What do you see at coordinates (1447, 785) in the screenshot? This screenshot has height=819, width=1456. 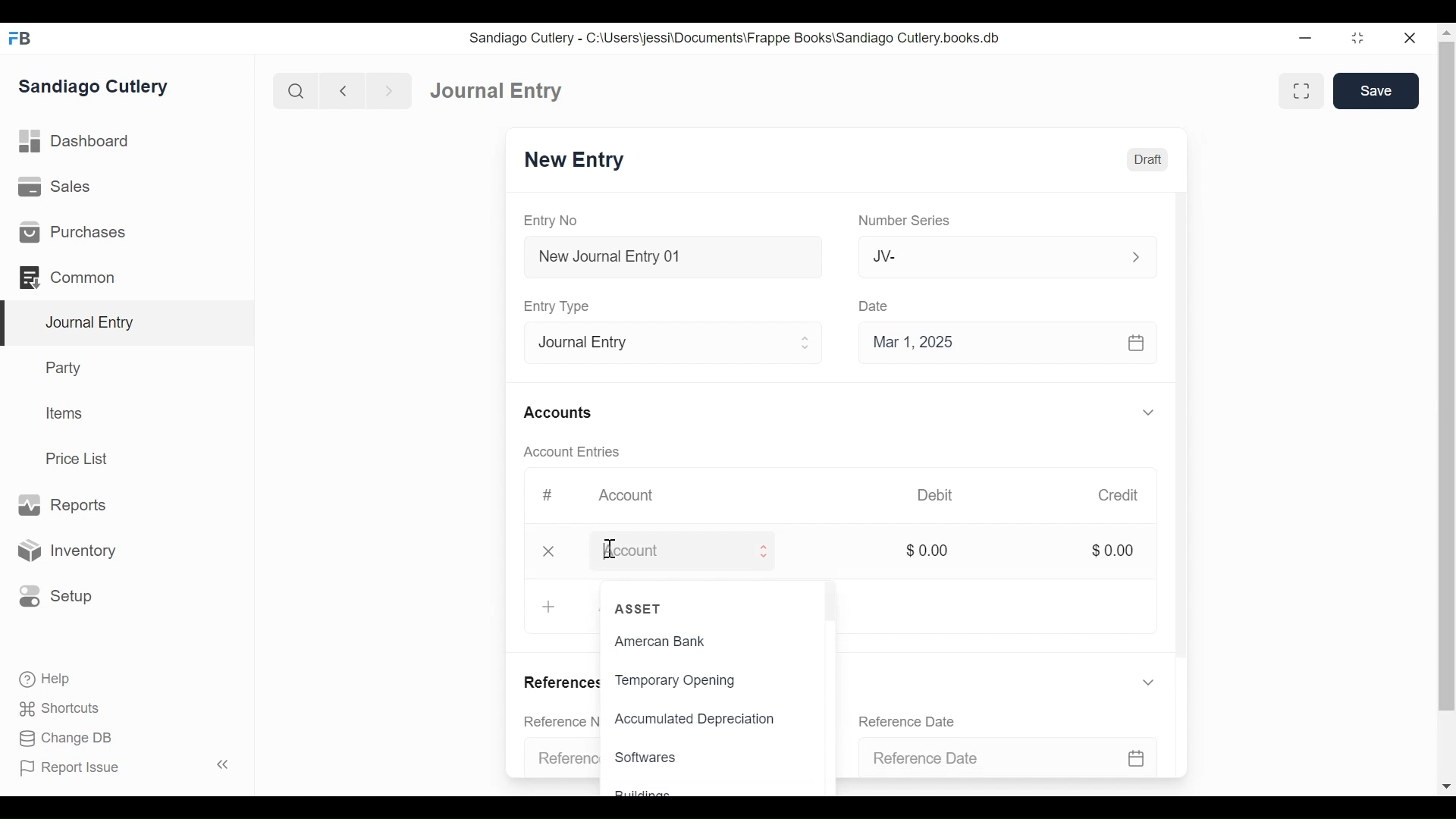 I see `move down` at bounding box center [1447, 785].